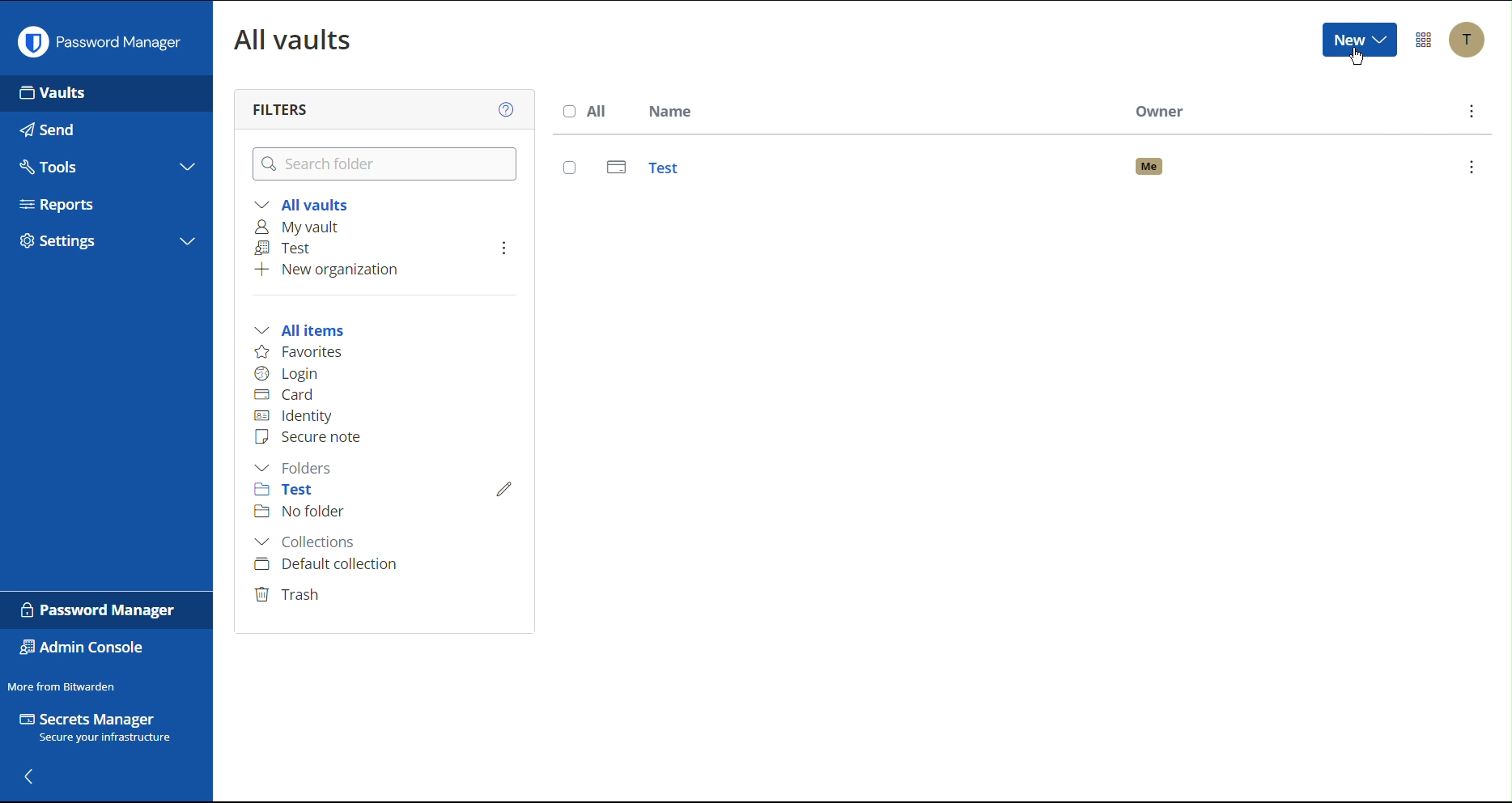 The height and width of the screenshot is (803, 1512). Describe the element at coordinates (64, 683) in the screenshot. I see `More from Bitwarden` at that location.